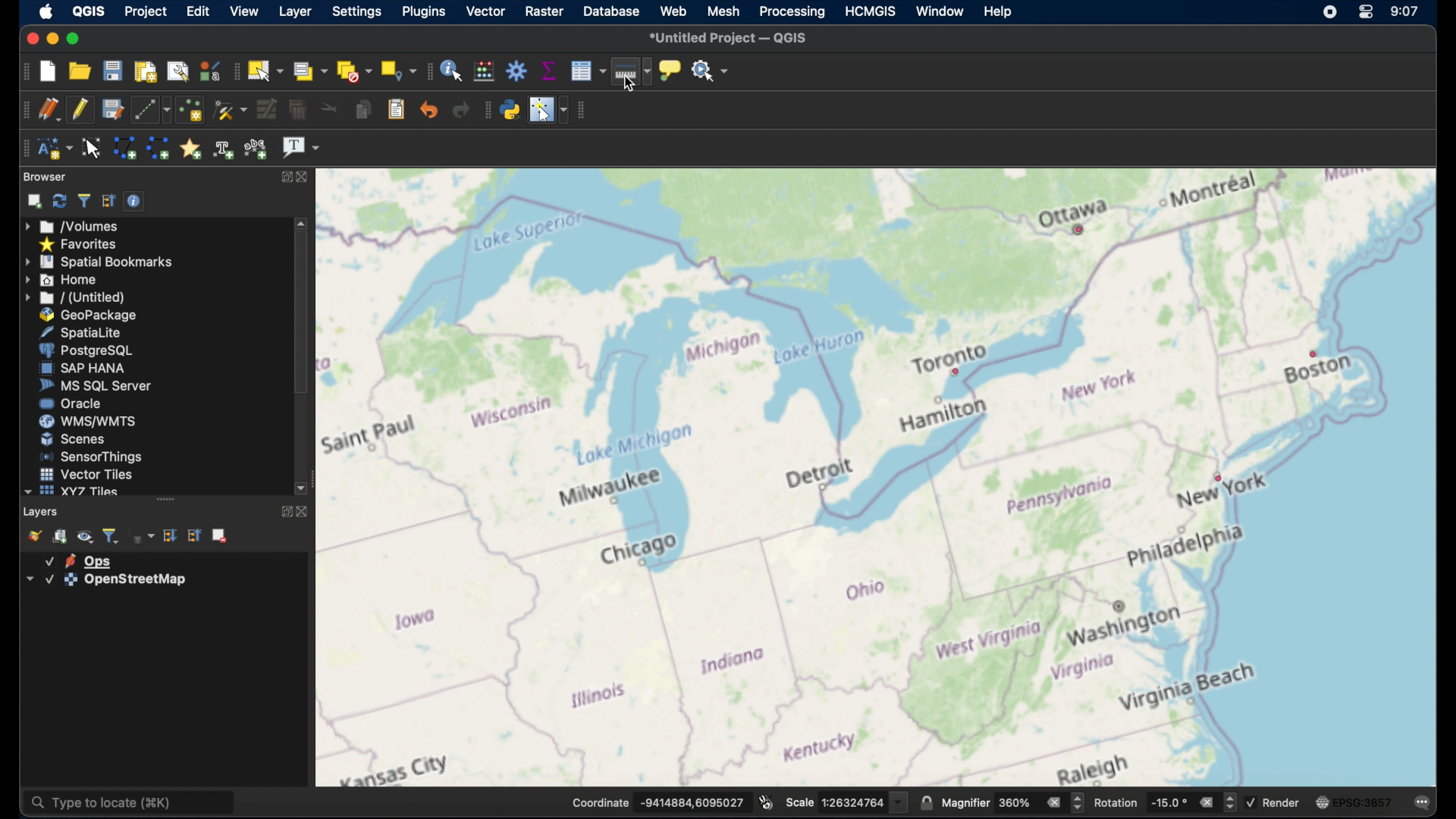  I want to click on scroll down arrow, so click(303, 489).